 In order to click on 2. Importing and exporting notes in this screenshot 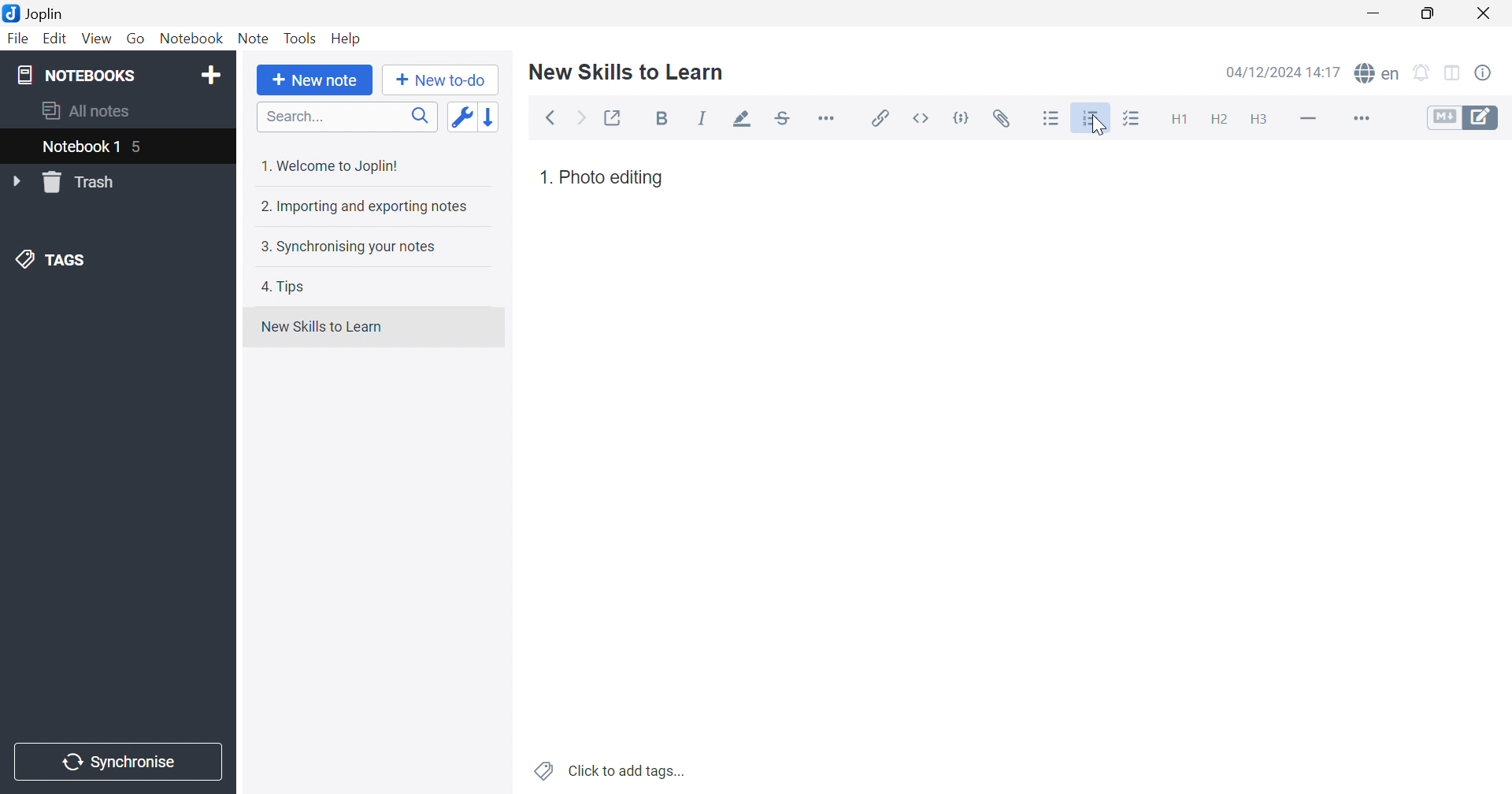, I will do `click(362, 206)`.